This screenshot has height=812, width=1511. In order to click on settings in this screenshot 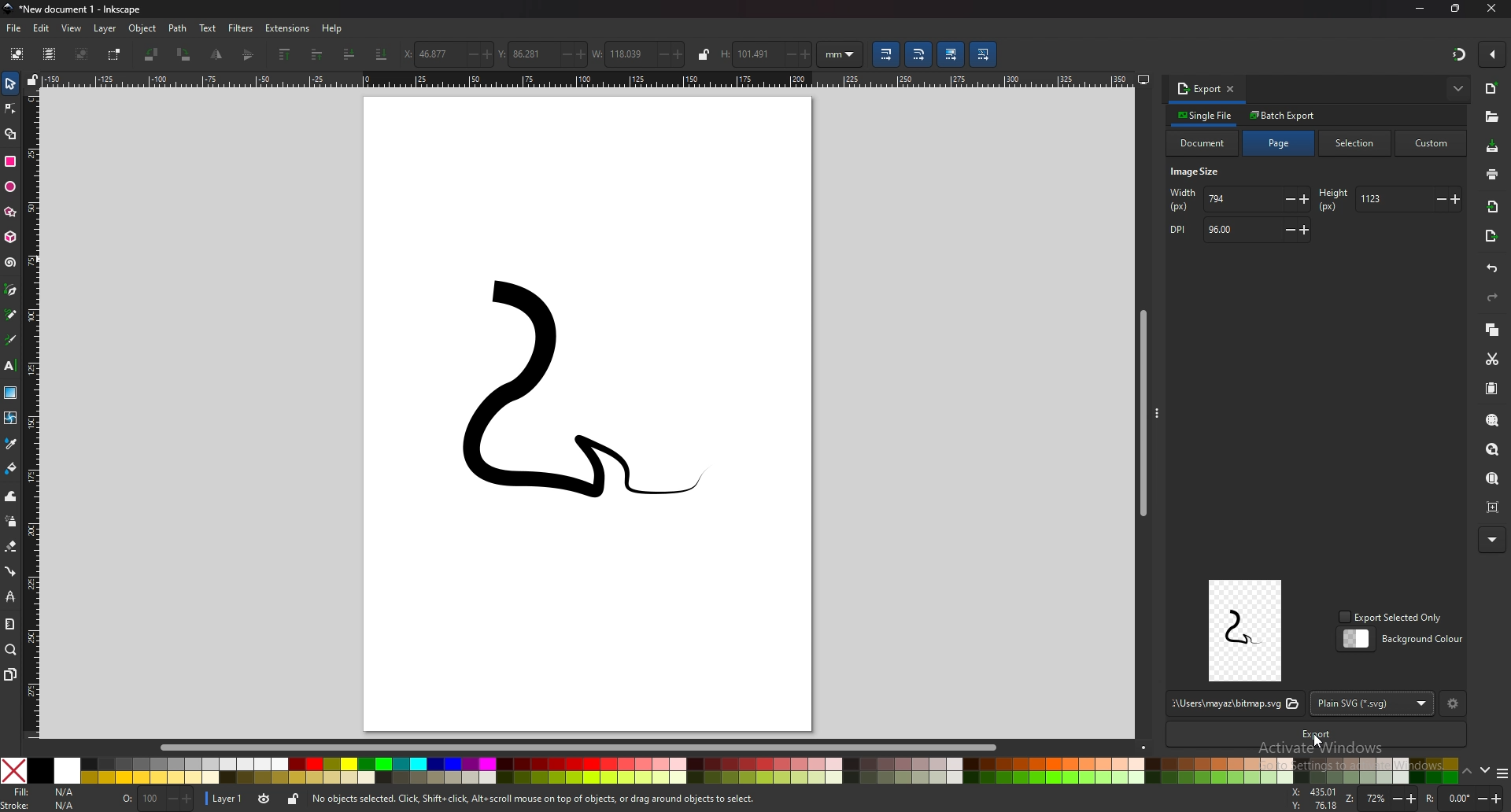, I will do `click(1454, 705)`.